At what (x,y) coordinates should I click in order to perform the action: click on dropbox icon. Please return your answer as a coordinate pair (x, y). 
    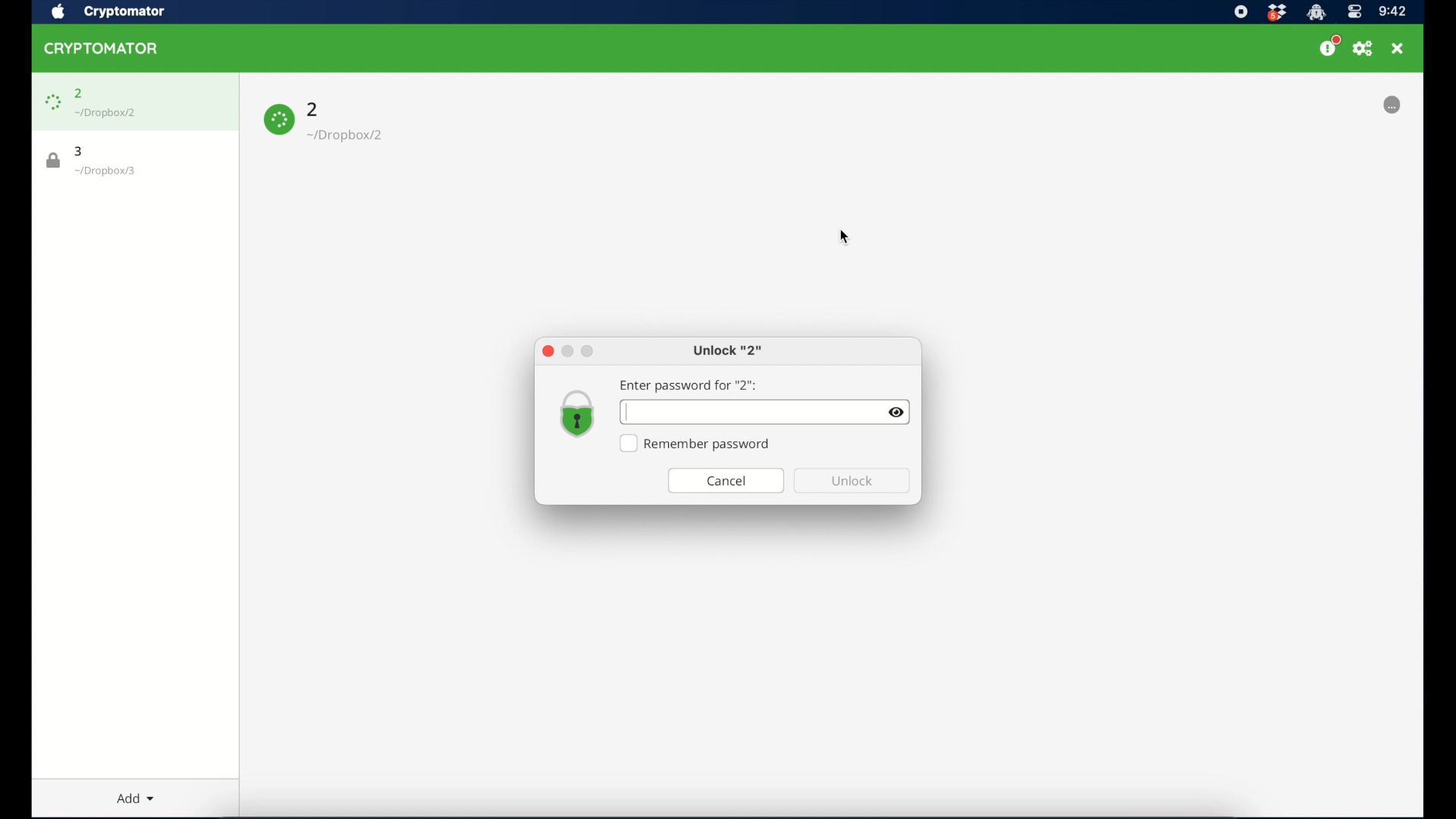
    Looking at the image, I should click on (1276, 13).